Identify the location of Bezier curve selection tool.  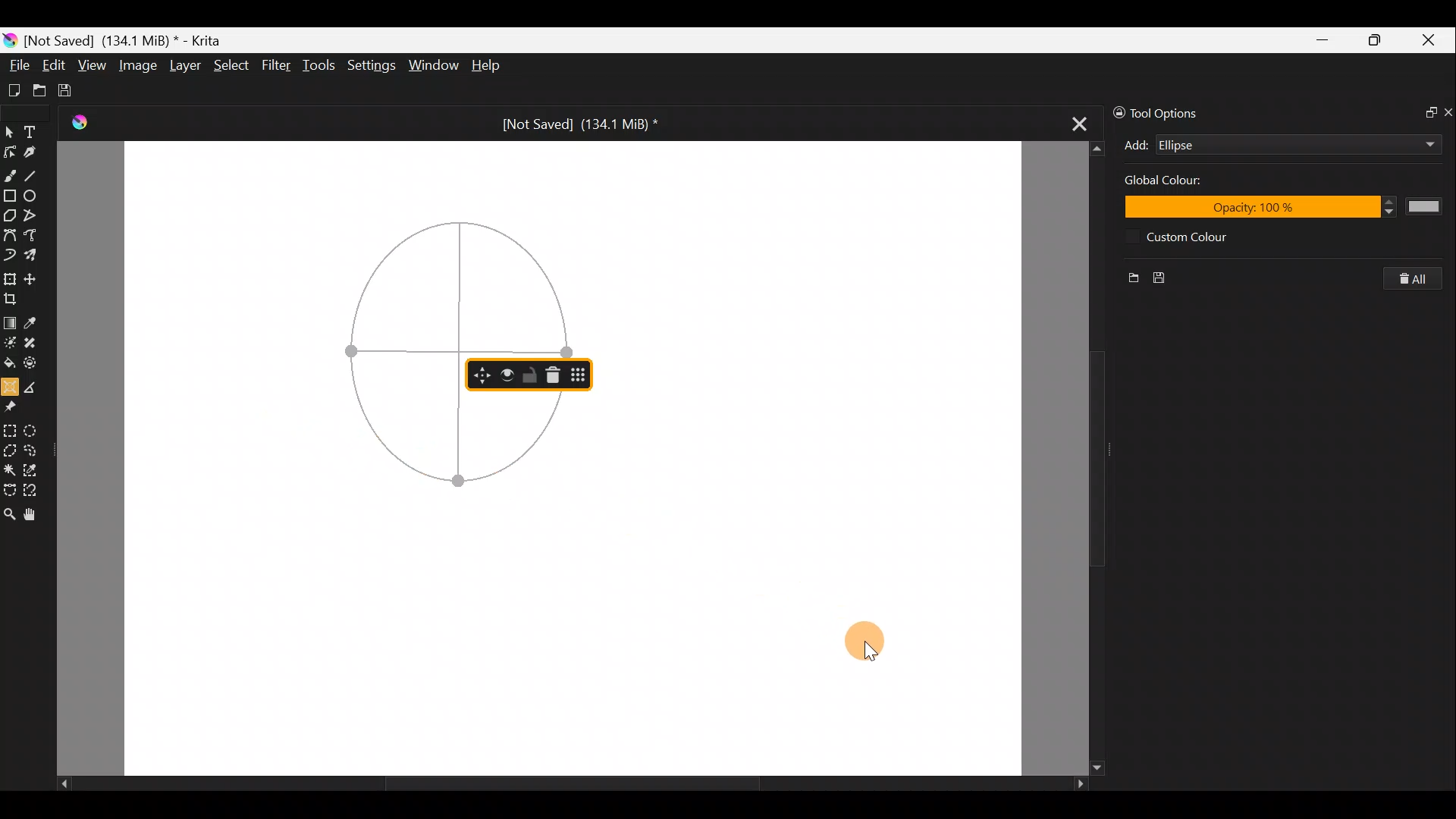
(9, 491).